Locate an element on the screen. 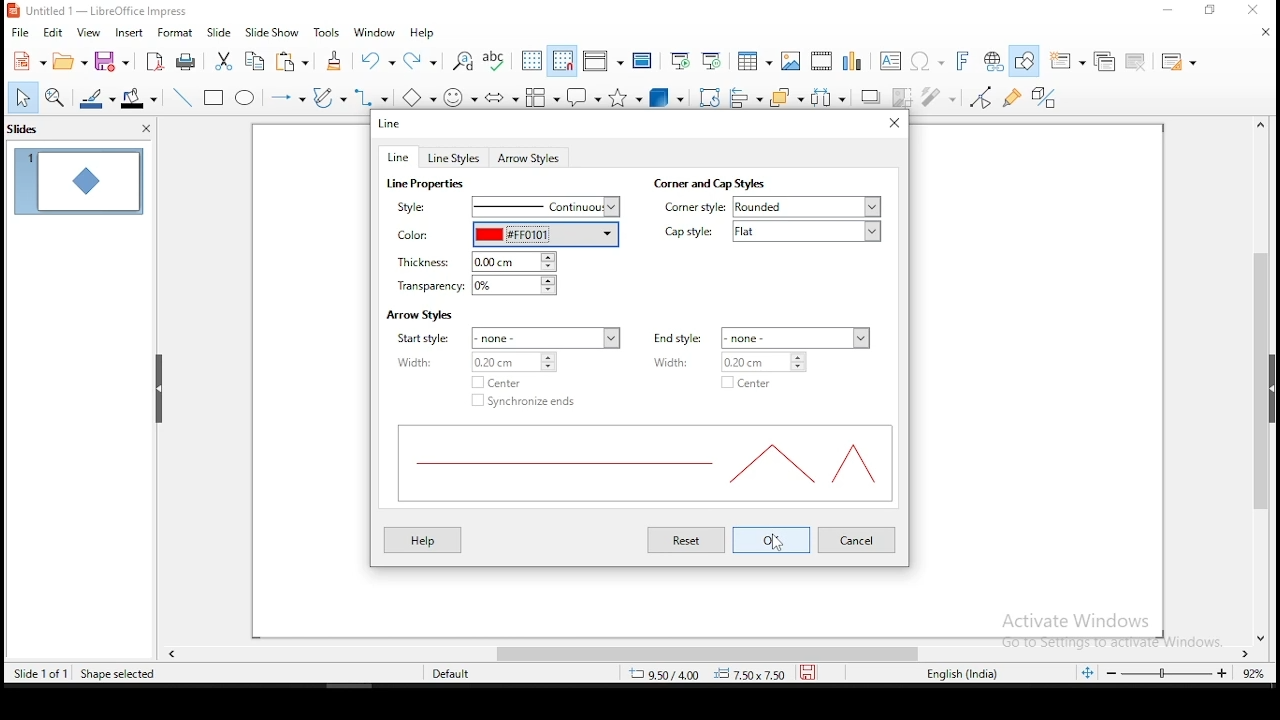  3D objects is located at coordinates (667, 96).